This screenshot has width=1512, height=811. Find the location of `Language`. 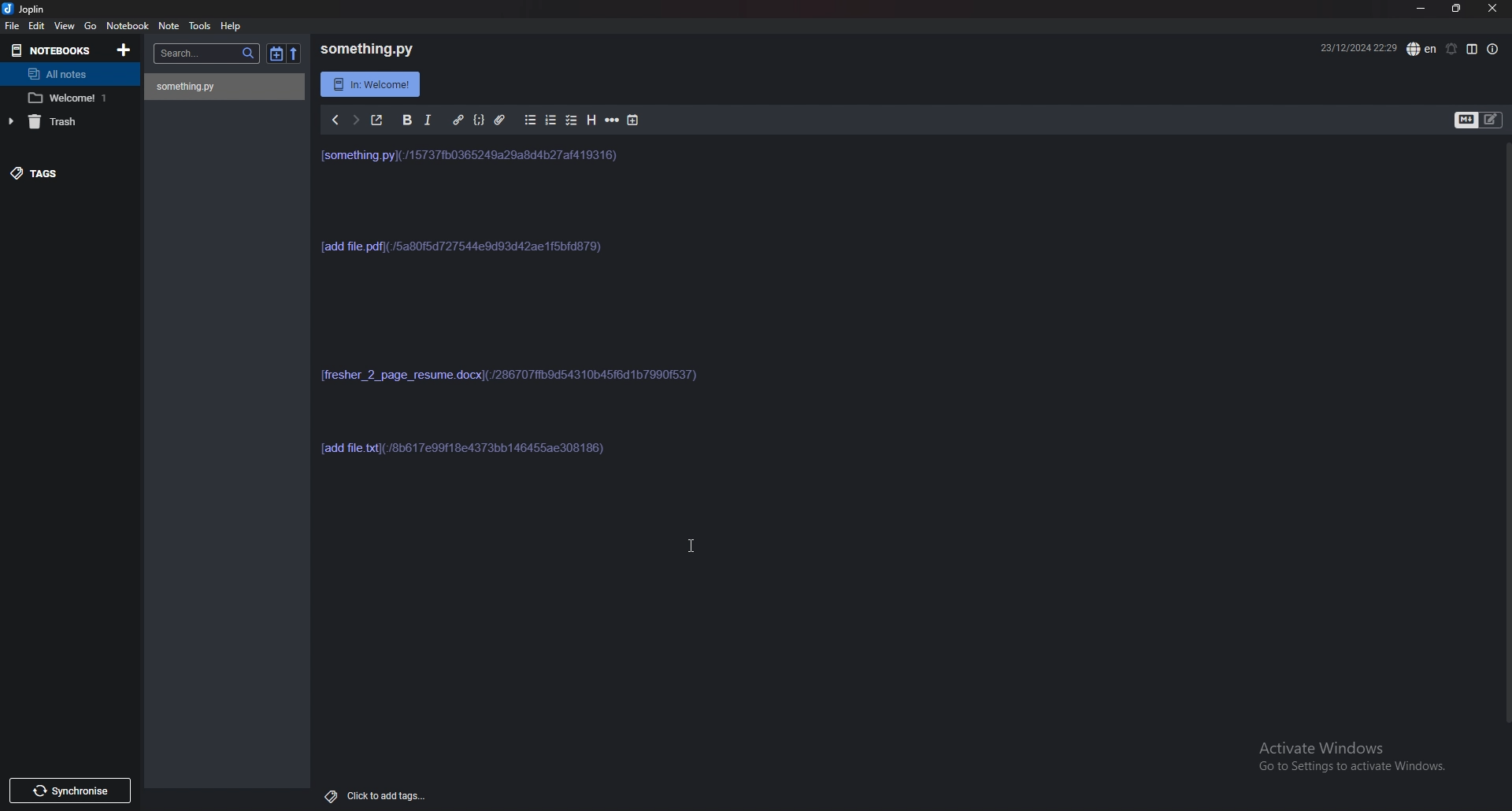

Language is located at coordinates (1421, 50).